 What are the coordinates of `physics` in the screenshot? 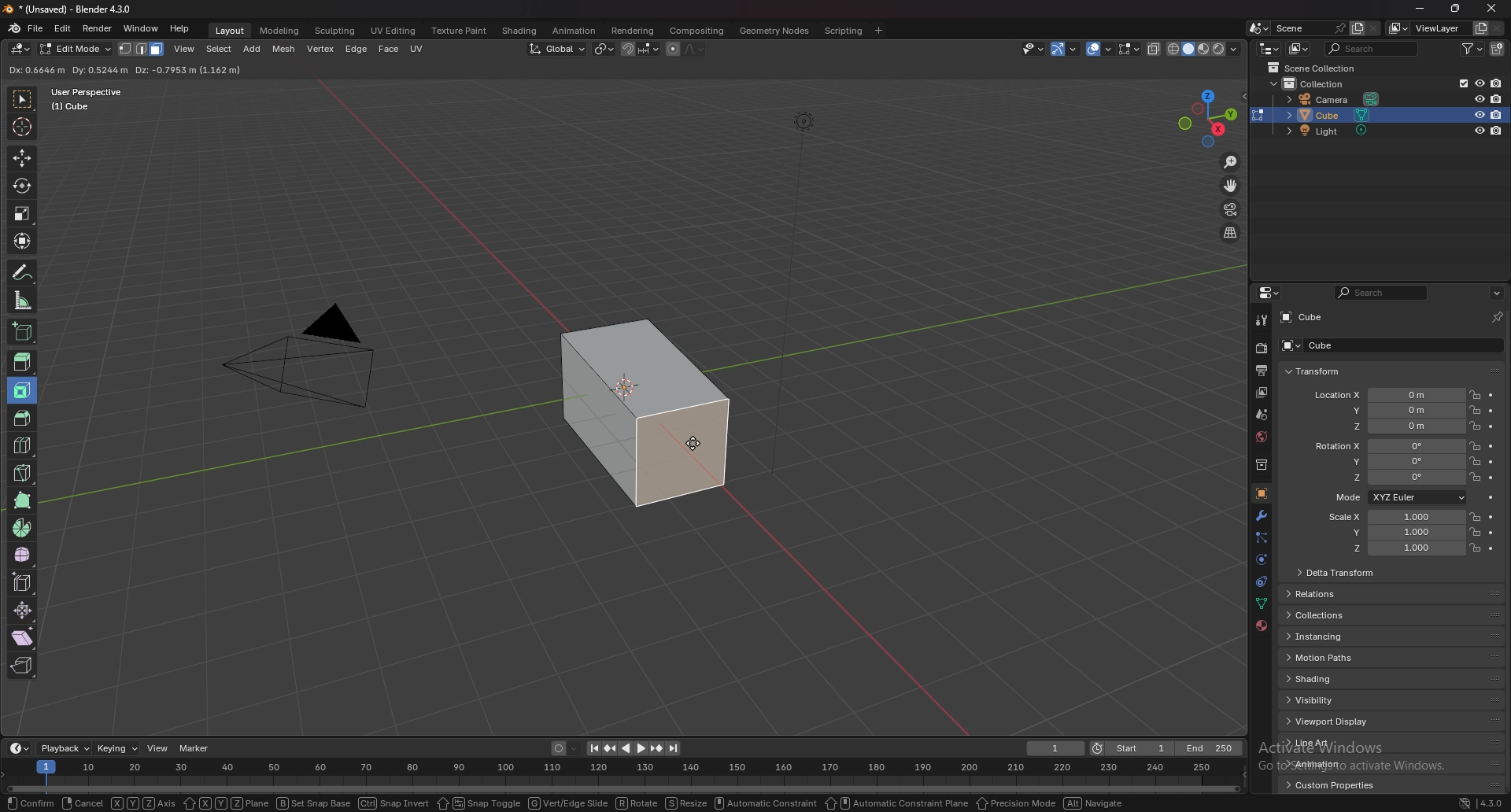 It's located at (1260, 583).